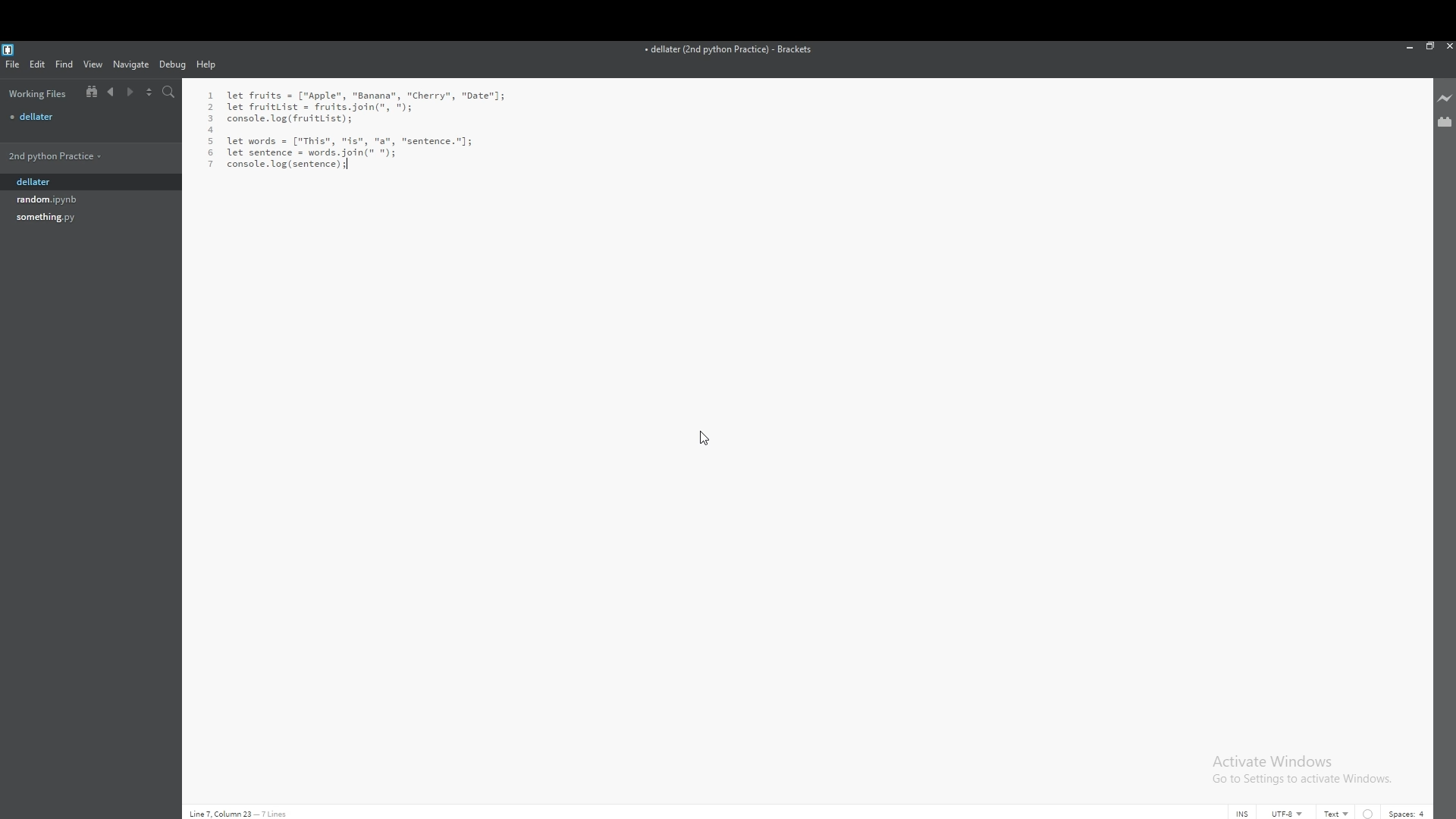 The width and height of the screenshot is (1456, 819). Describe the element at coordinates (208, 65) in the screenshot. I see `help` at that location.